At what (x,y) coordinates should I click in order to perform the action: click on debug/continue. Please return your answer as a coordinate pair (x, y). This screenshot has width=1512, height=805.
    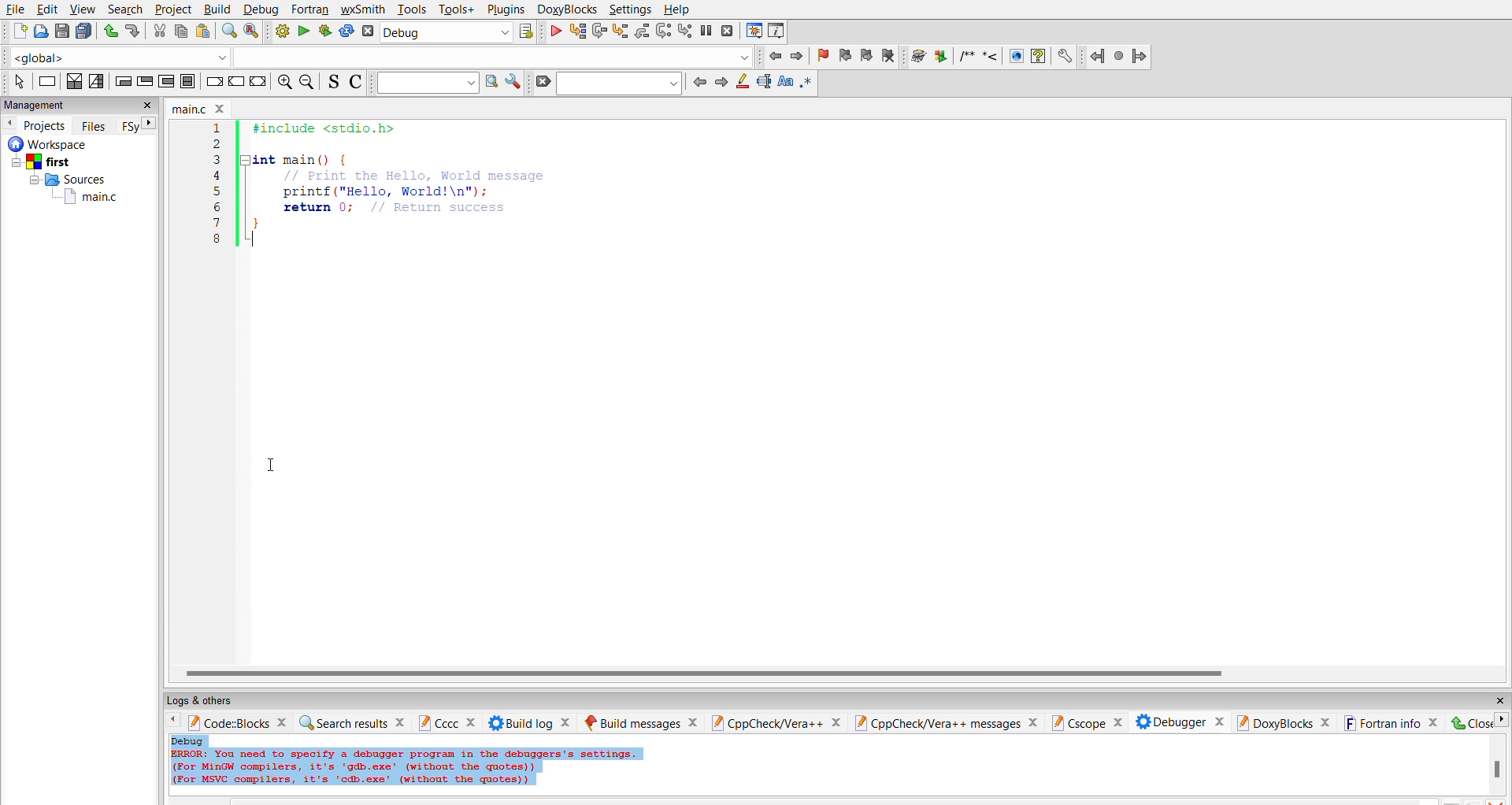
    Looking at the image, I should click on (558, 31).